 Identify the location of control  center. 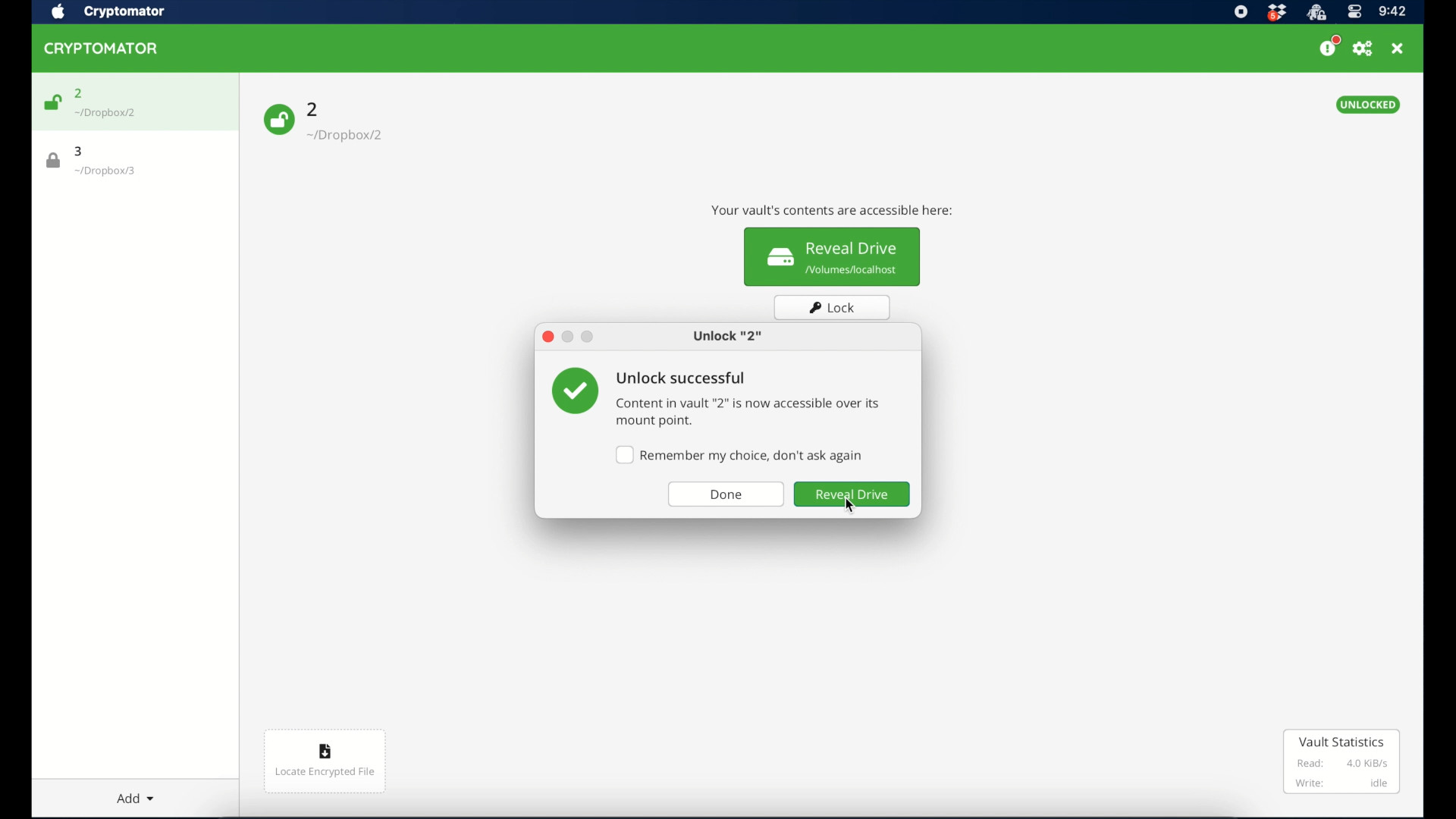
(1354, 12).